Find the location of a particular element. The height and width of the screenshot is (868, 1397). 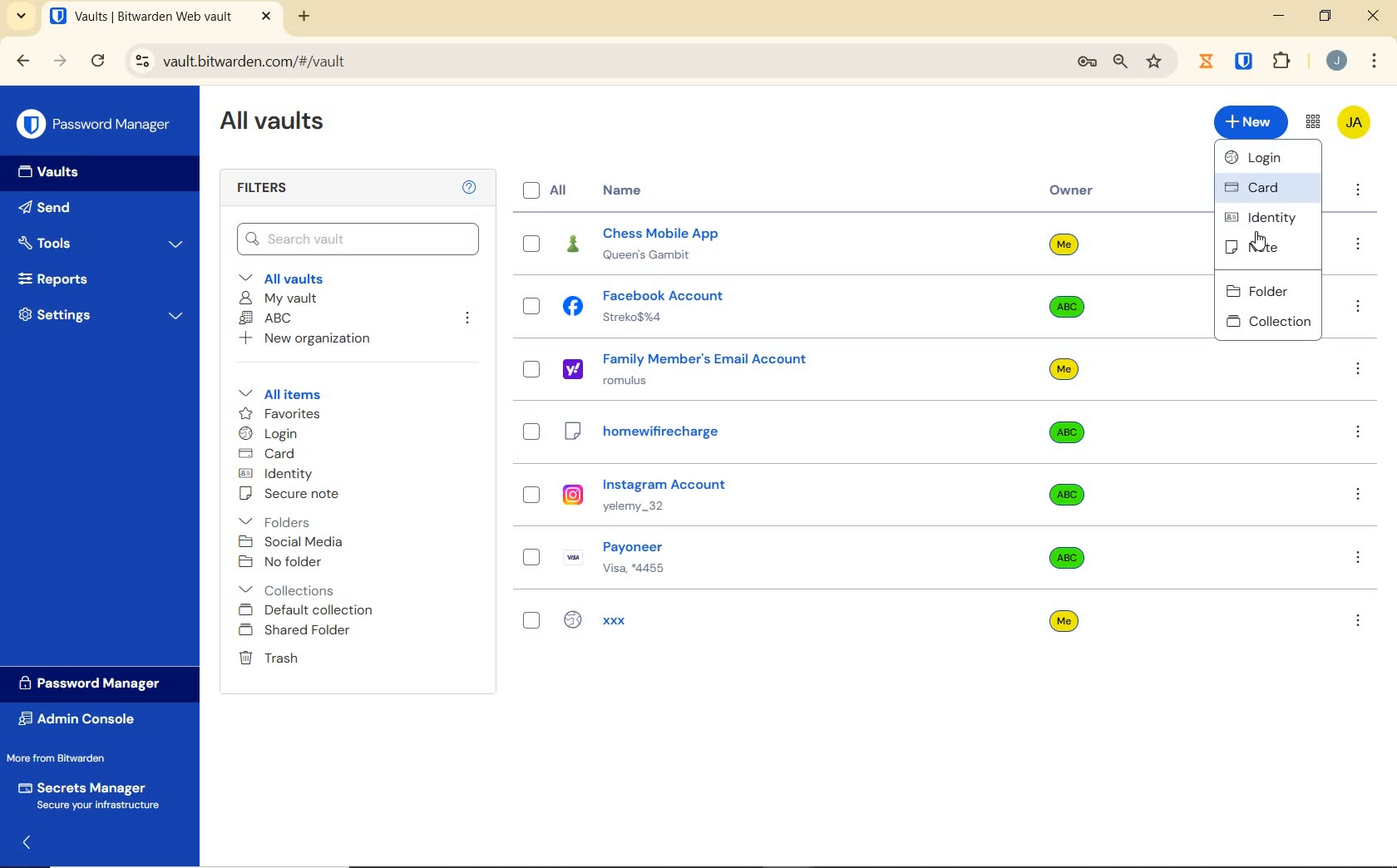

SOCIAL MEDIA is located at coordinates (294, 542).